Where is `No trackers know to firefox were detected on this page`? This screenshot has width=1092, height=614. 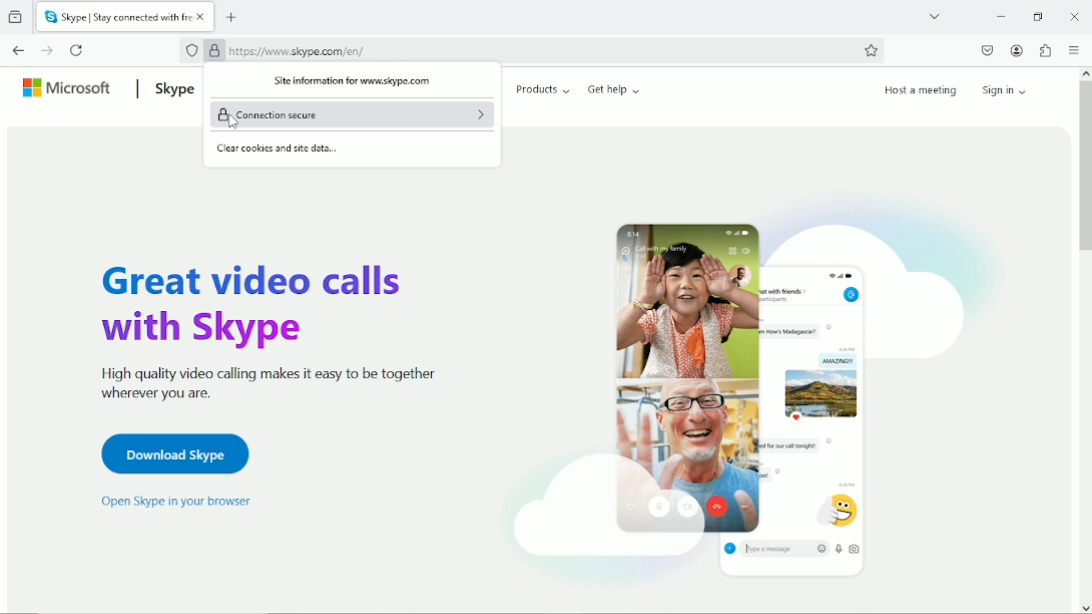
No trackers know to firefox were detected on this page is located at coordinates (192, 52).